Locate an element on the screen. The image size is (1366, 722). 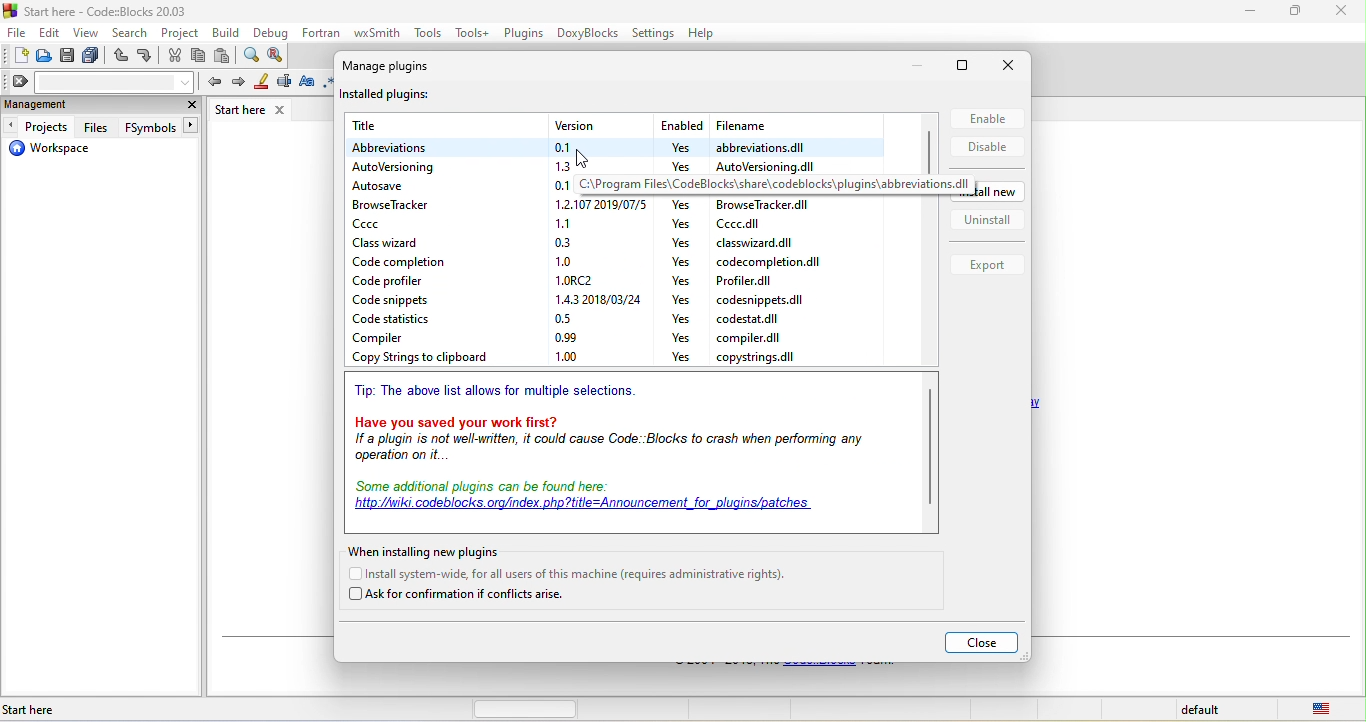
file is located at coordinates (762, 300).